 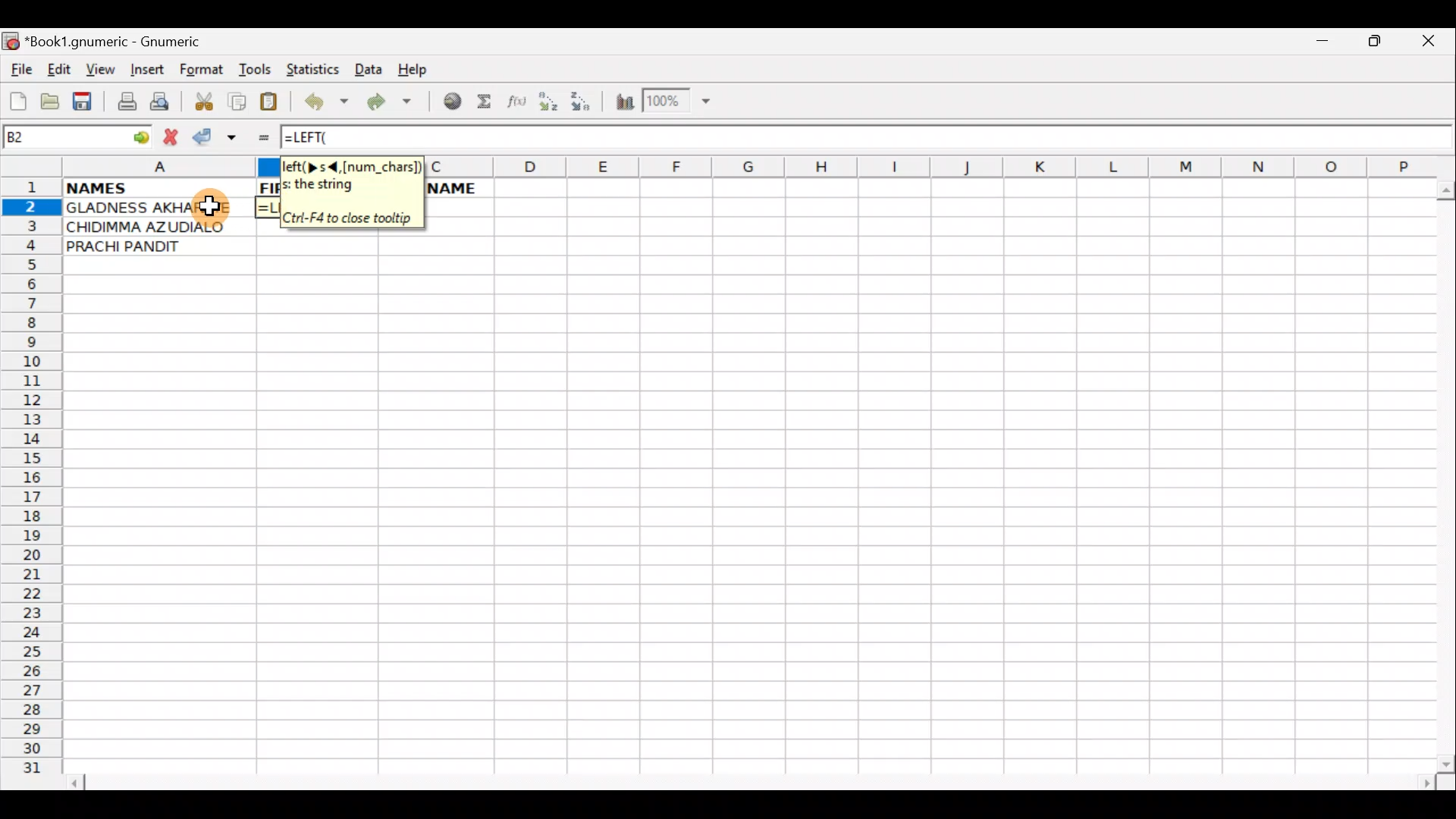 I want to click on Print file, so click(x=123, y=103).